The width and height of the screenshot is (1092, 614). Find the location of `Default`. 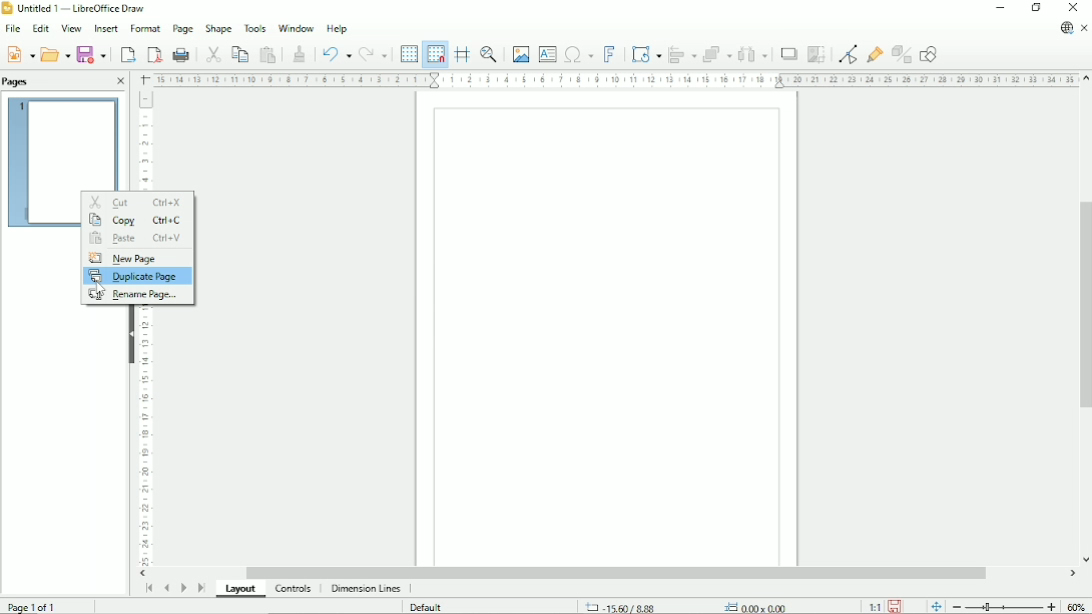

Default is located at coordinates (428, 607).